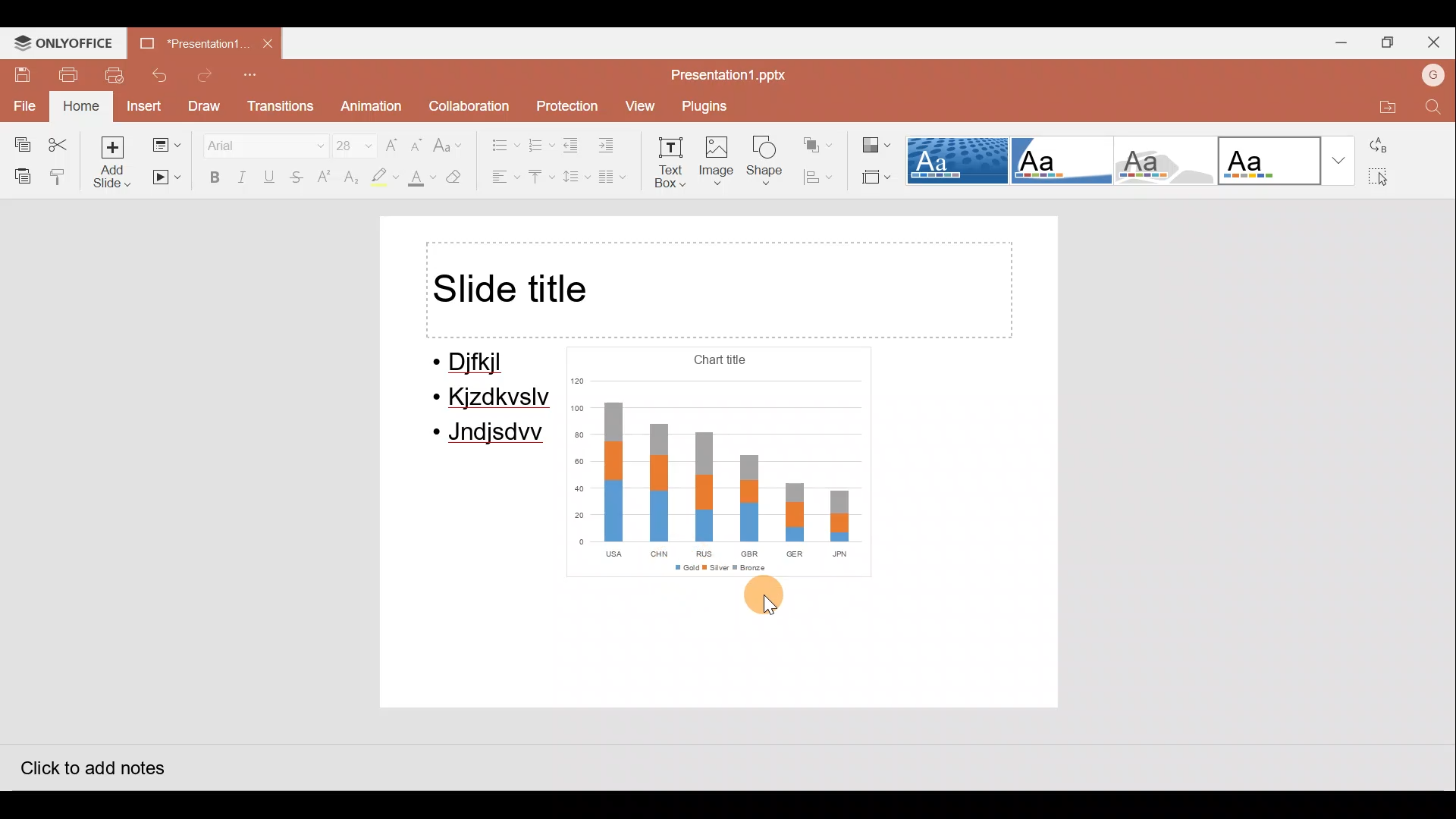 This screenshot has height=819, width=1456. What do you see at coordinates (369, 107) in the screenshot?
I see `Animation` at bounding box center [369, 107].